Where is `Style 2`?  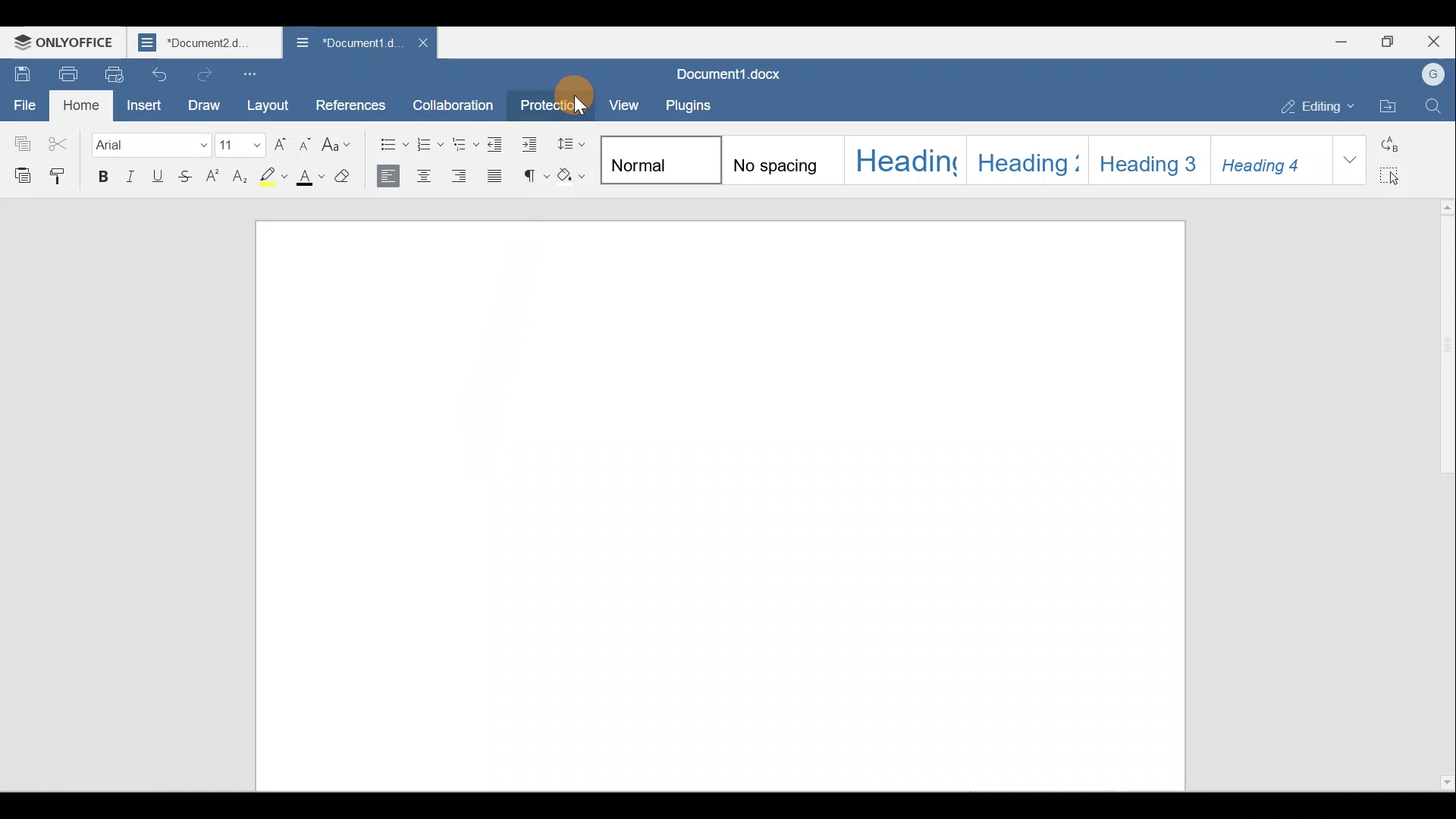
Style 2 is located at coordinates (784, 158).